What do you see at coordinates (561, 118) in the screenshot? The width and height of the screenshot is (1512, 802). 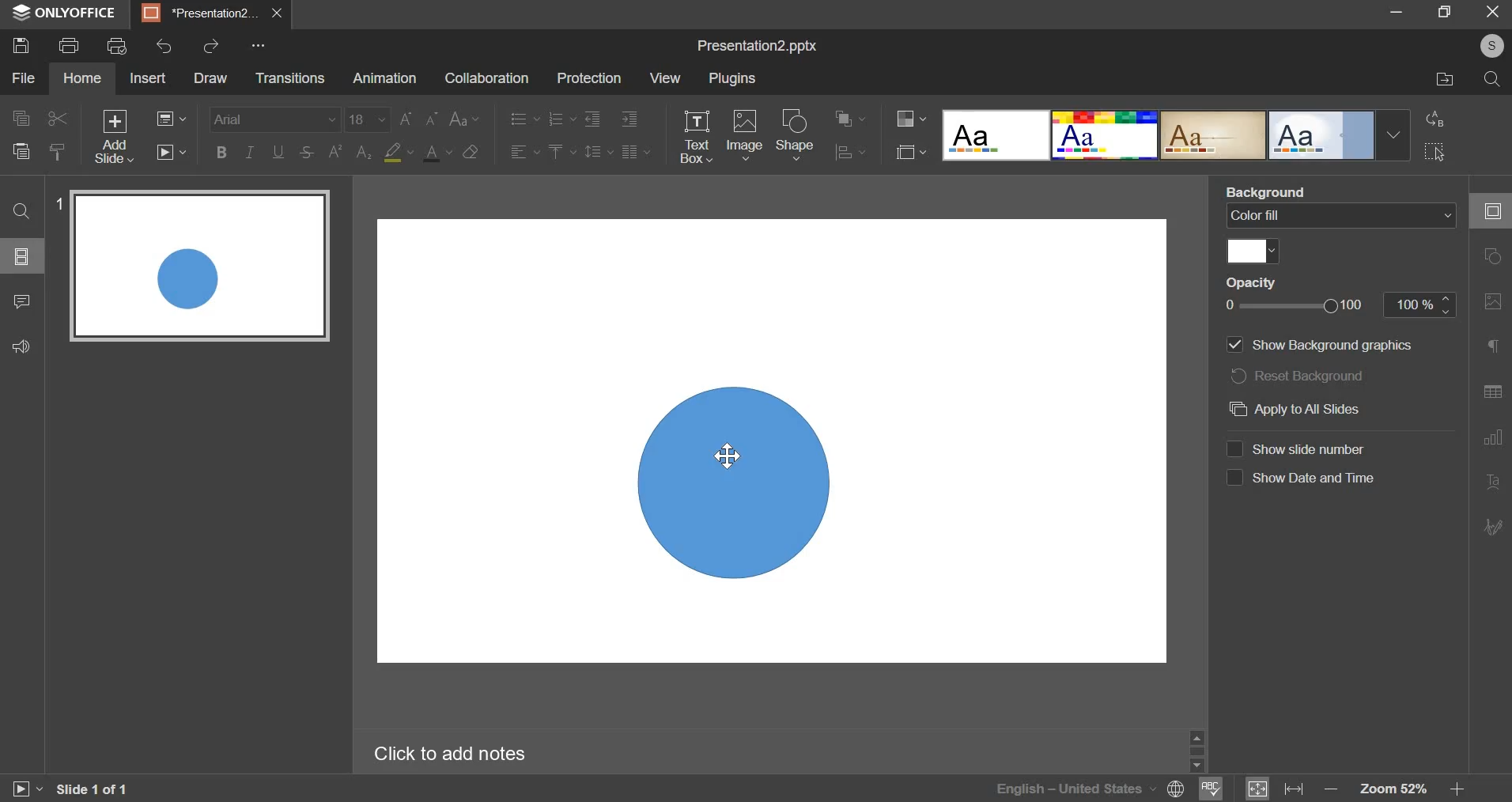 I see `numbering` at bounding box center [561, 118].